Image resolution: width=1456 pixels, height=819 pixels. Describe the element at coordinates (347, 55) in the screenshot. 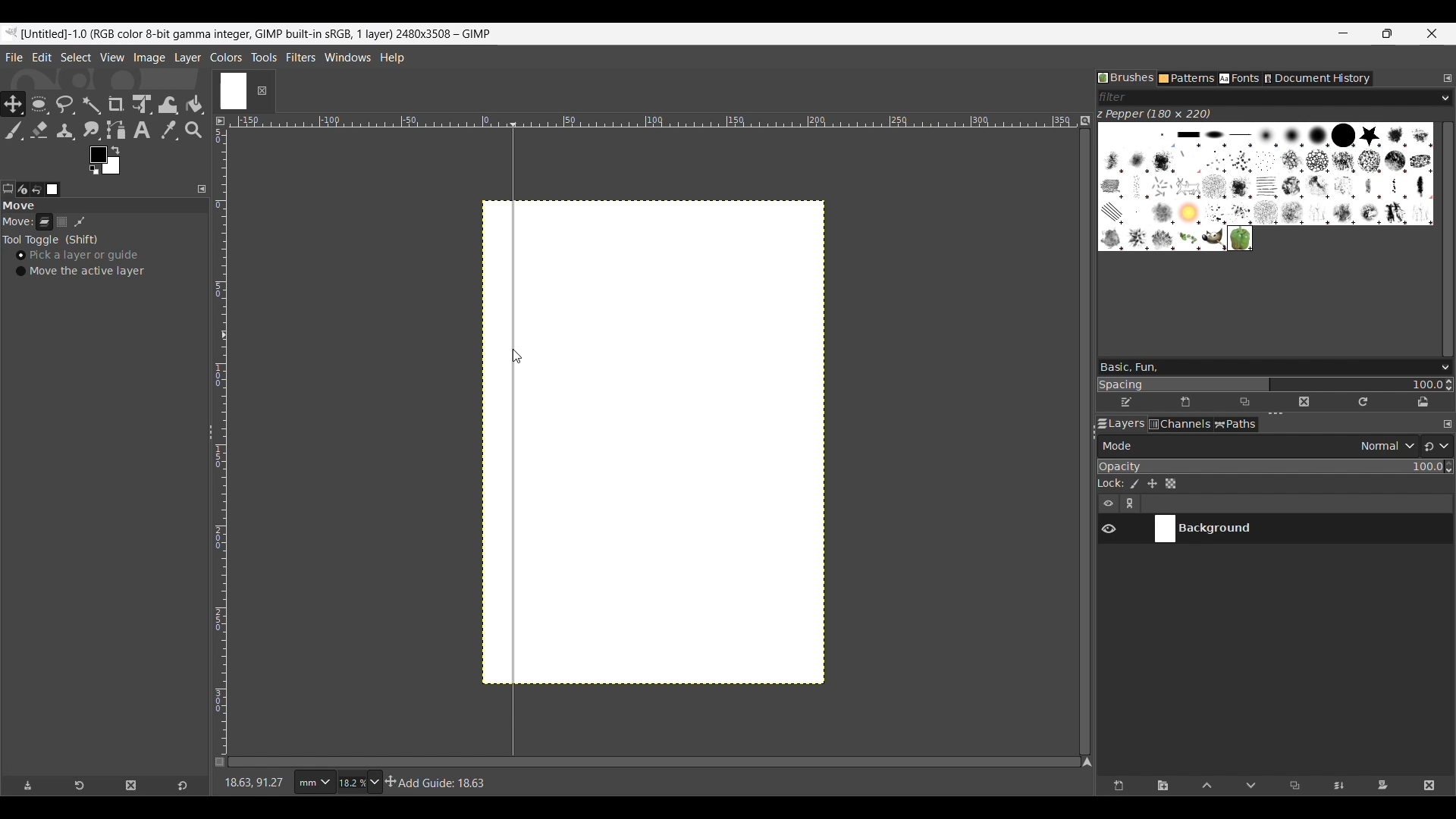

I see `Windows menu` at that location.